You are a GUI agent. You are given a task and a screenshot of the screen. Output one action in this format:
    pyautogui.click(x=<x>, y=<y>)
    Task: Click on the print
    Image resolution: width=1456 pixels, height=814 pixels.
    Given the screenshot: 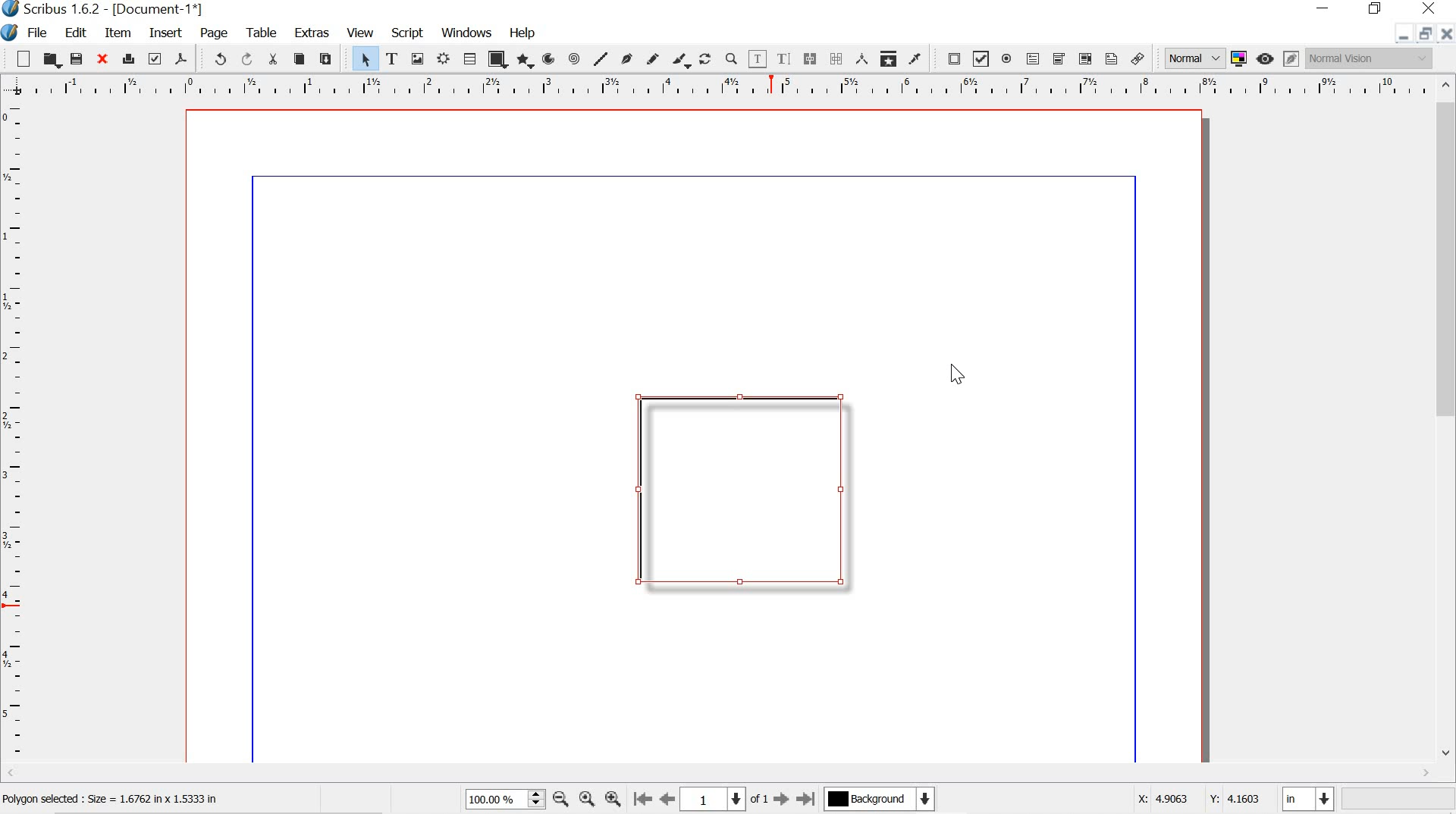 What is the action you would take?
    pyautogui.click(x=128, y=57)
    